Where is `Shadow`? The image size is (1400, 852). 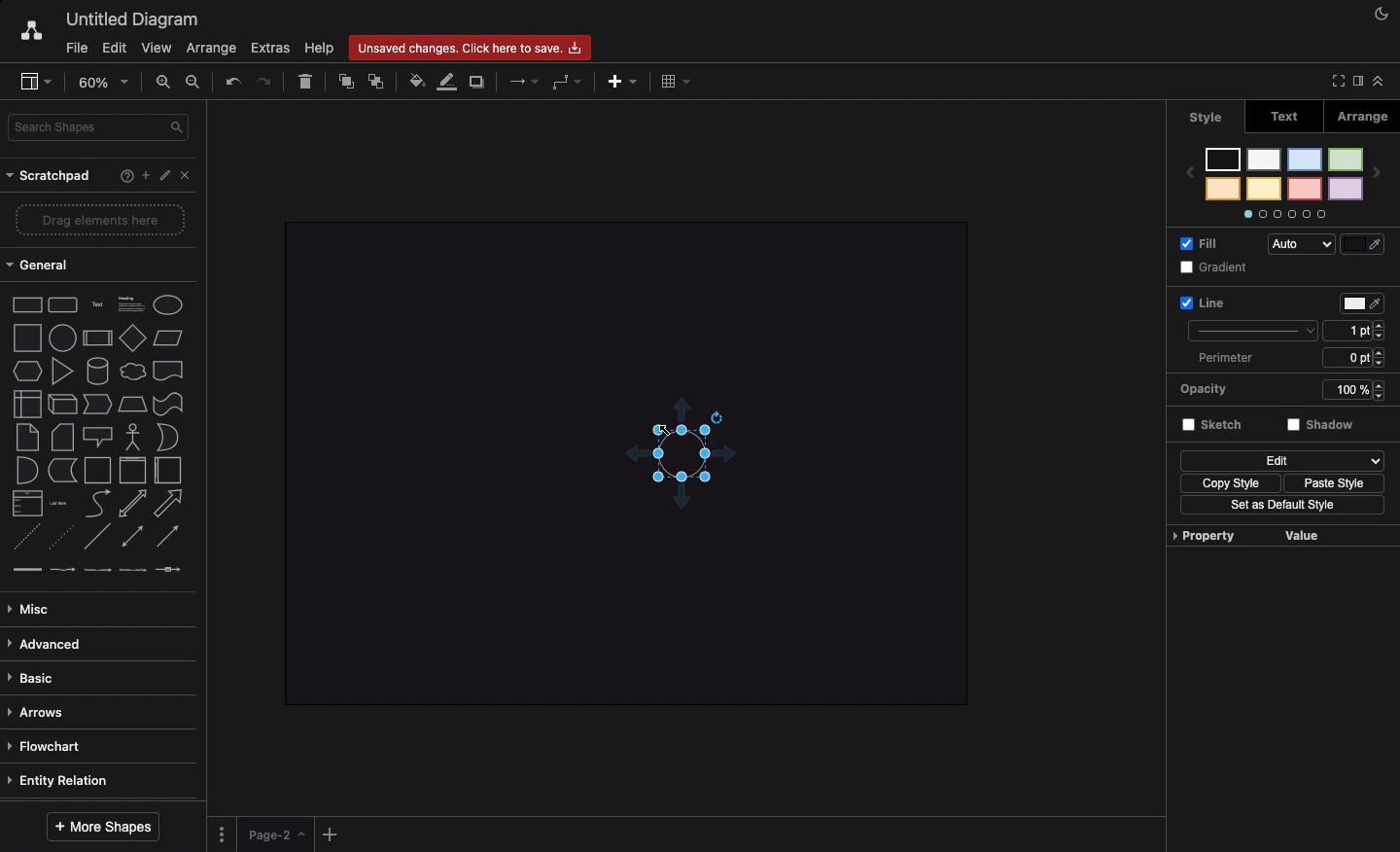
Shadow is located at coordinates (1319, 426).